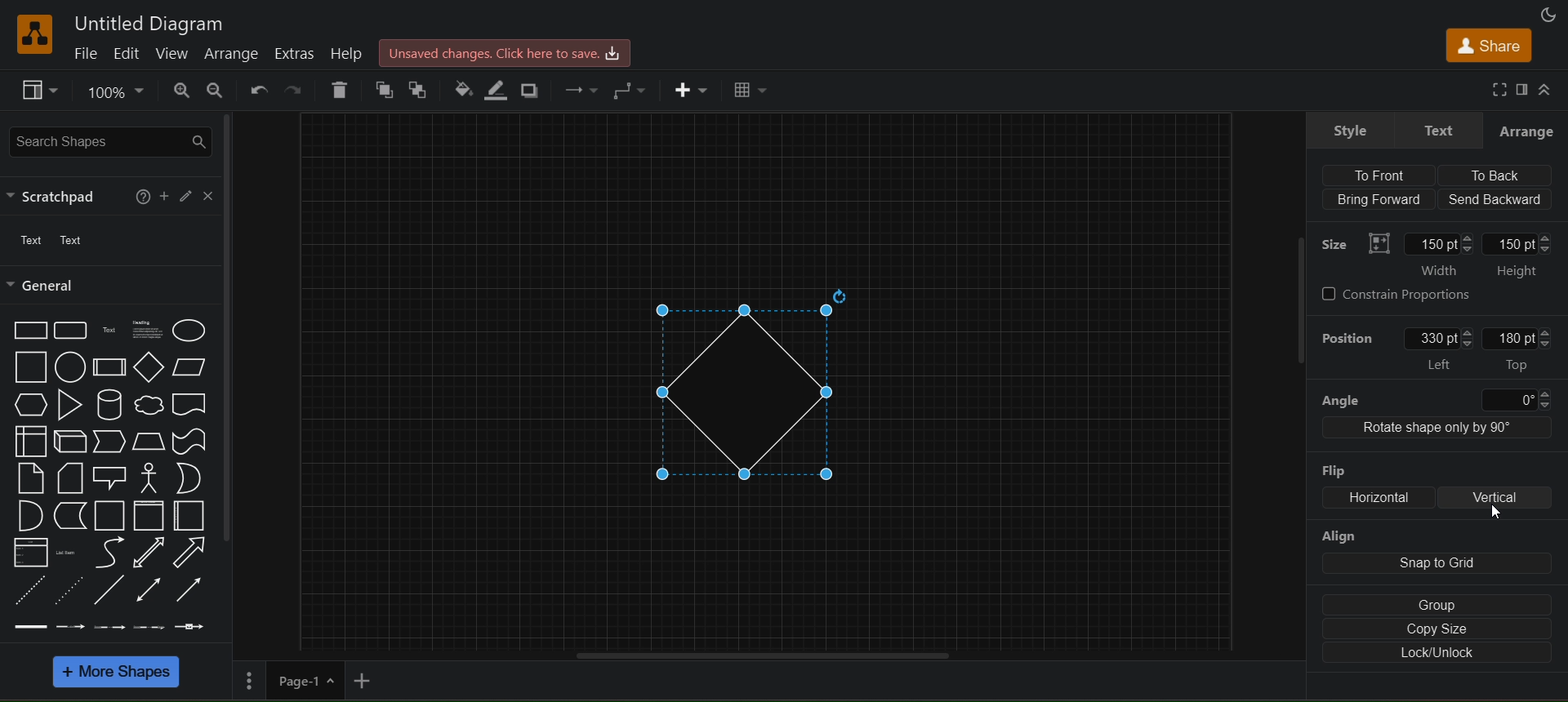  Describe the element at coordinates (146, 367) in the screenshot. I see `diamond` at that location.